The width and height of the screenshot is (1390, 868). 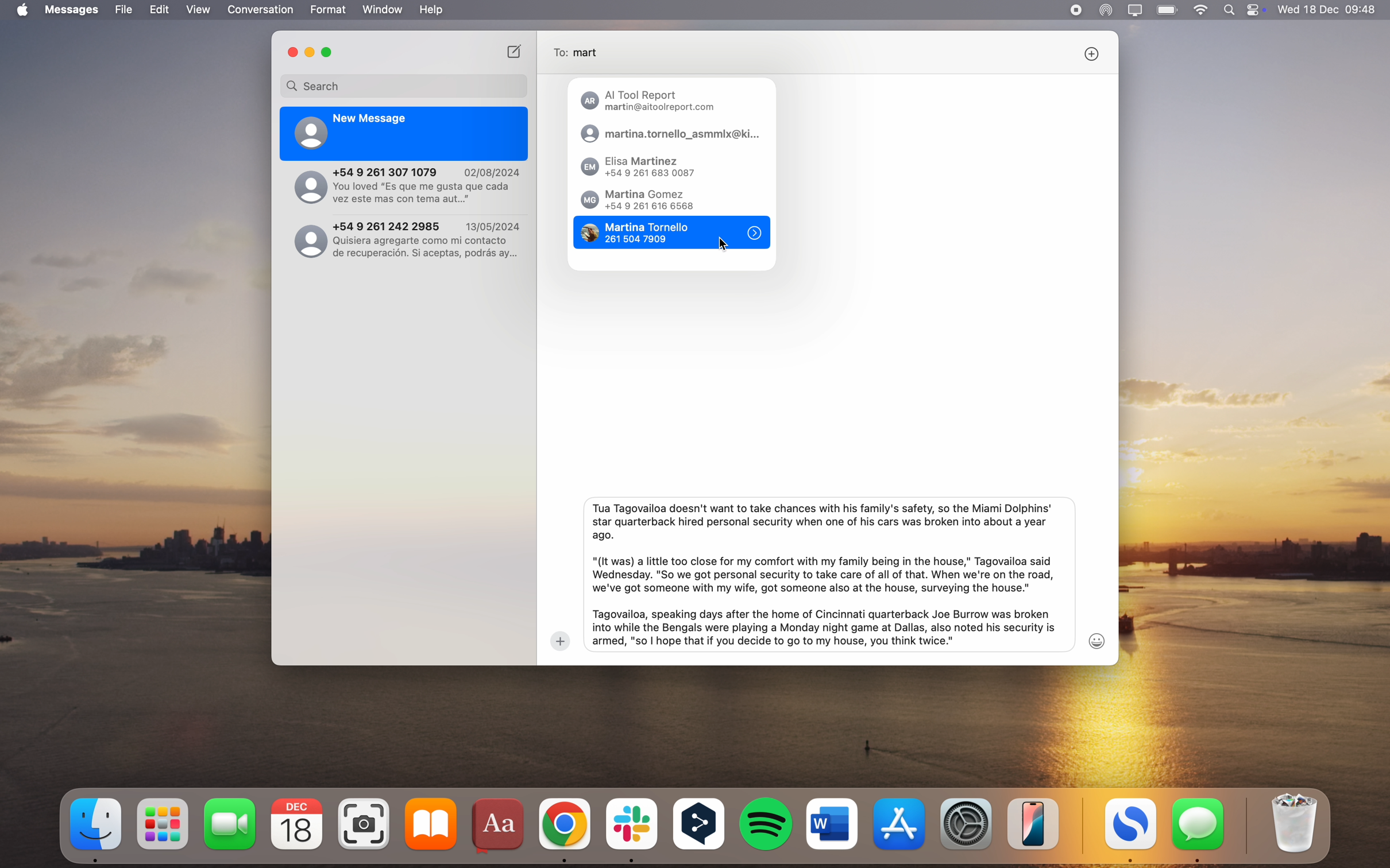 I want to click on wifi, so click(x=1202, y=10).